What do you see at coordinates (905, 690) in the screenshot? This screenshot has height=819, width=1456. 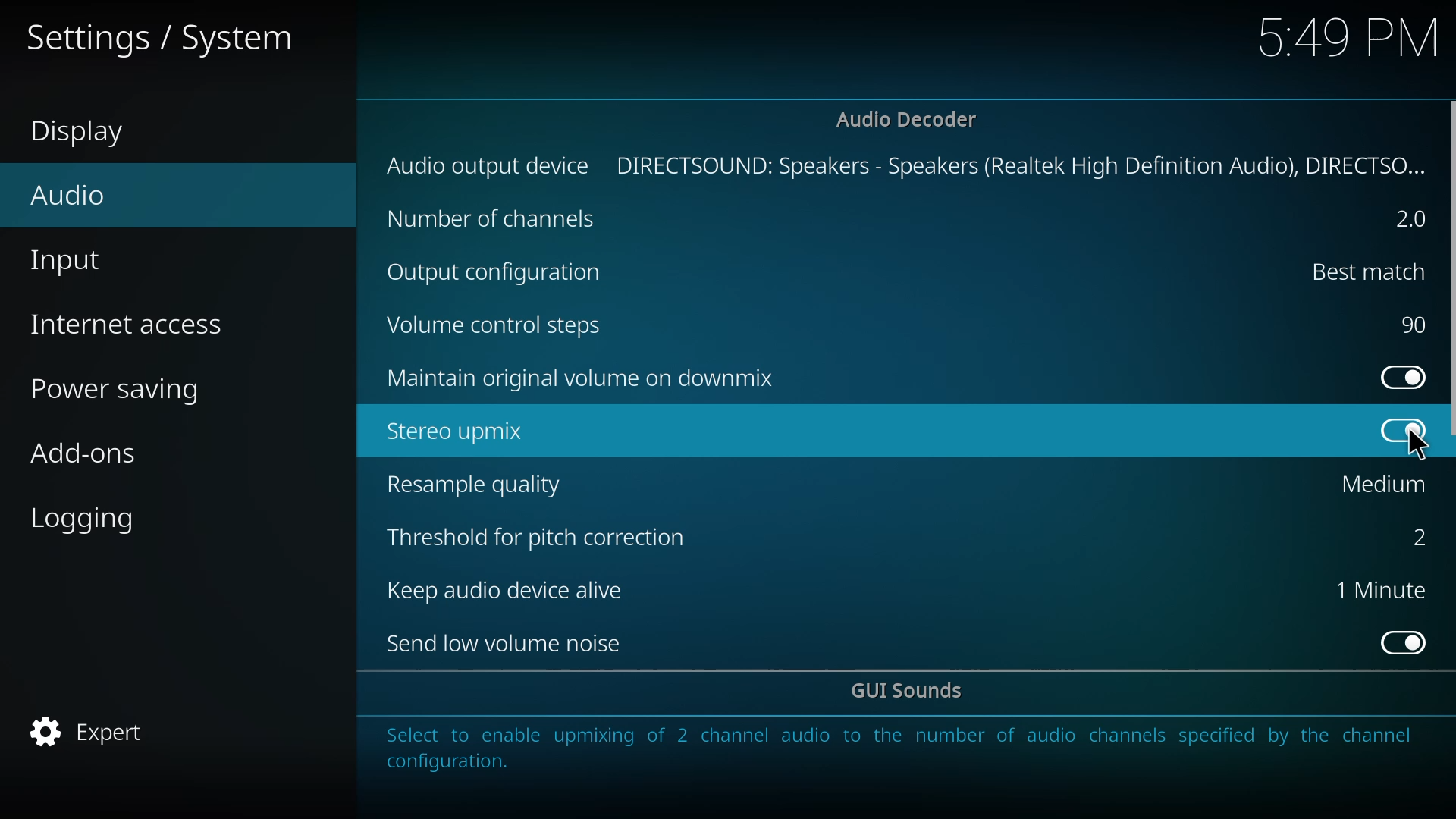 I see `gui sounds` at bounding box center [905, 690].